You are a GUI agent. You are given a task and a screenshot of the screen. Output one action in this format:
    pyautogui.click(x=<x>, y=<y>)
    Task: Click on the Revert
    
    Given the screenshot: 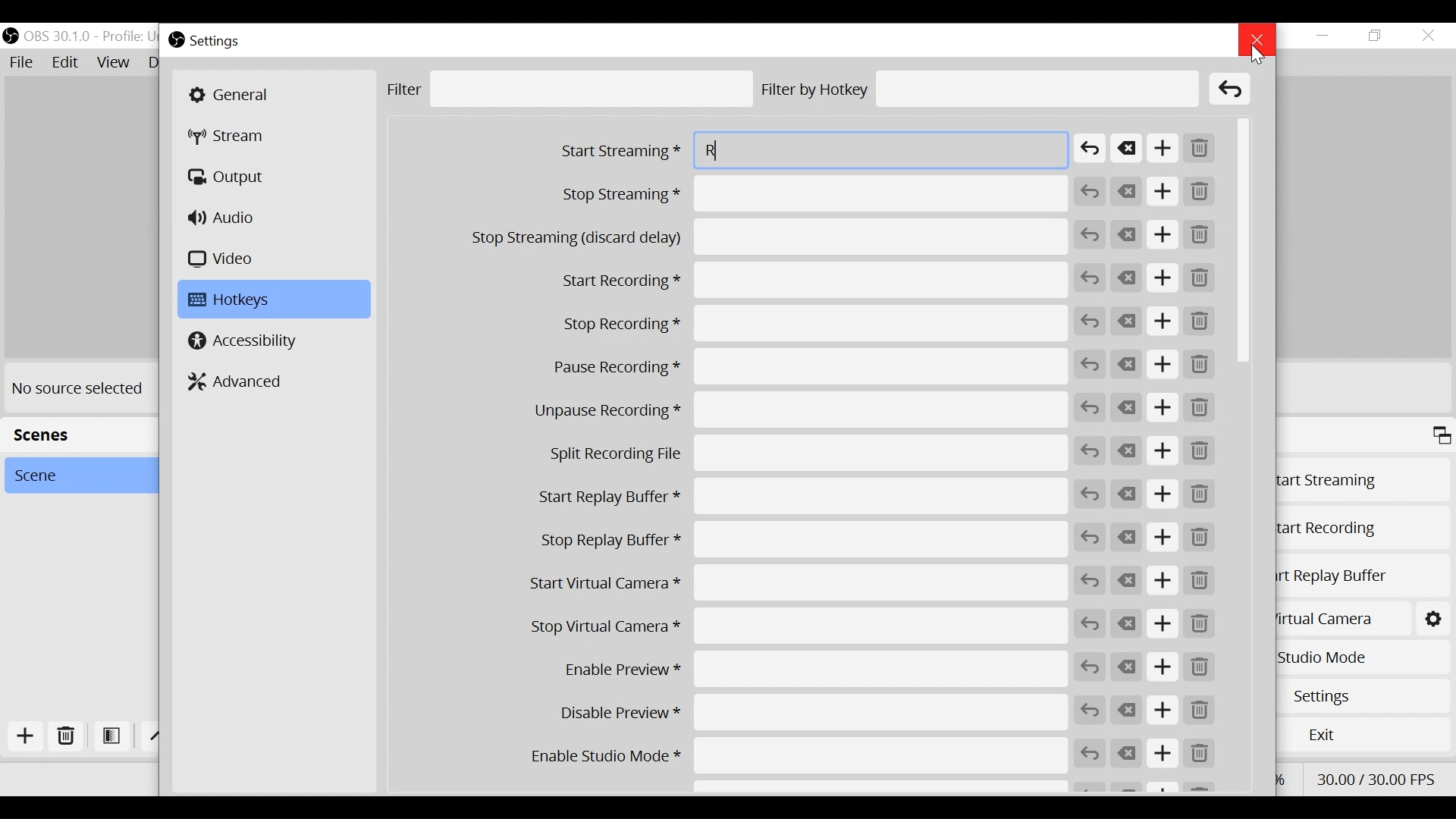 What is the action you would take?
    pyautogui.click(x=1090, y=235)
    